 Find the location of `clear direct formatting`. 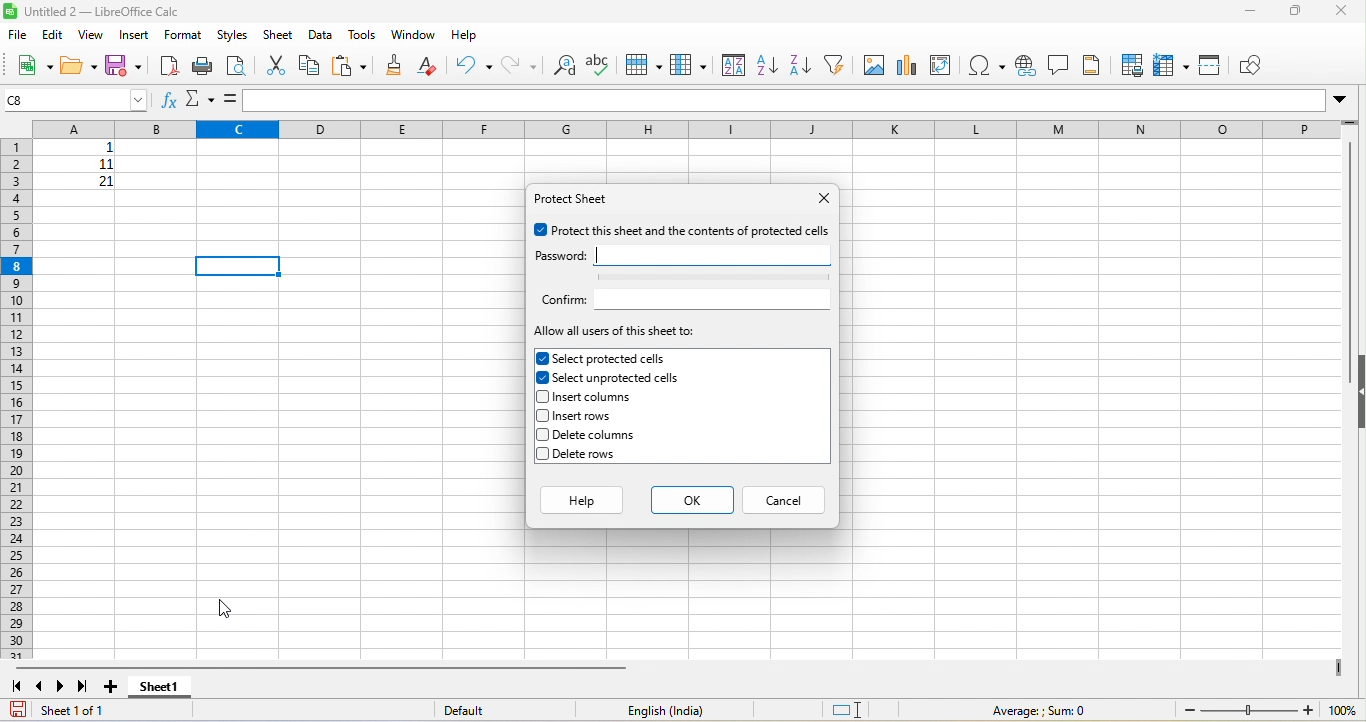

clear direct formatting is located at coordinates (432, 66).